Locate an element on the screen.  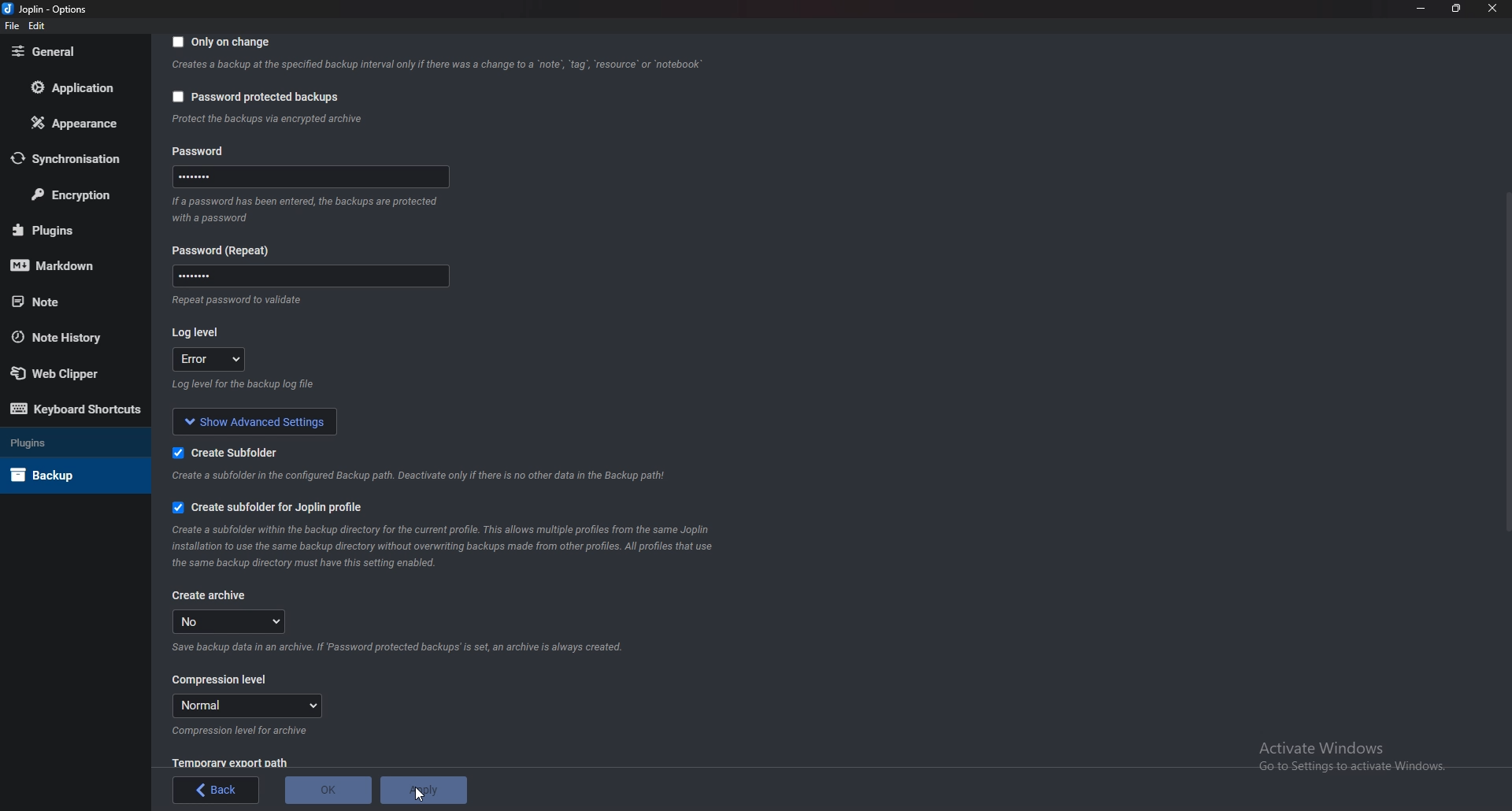
Temporary export path is located at coordinates (229, 762).